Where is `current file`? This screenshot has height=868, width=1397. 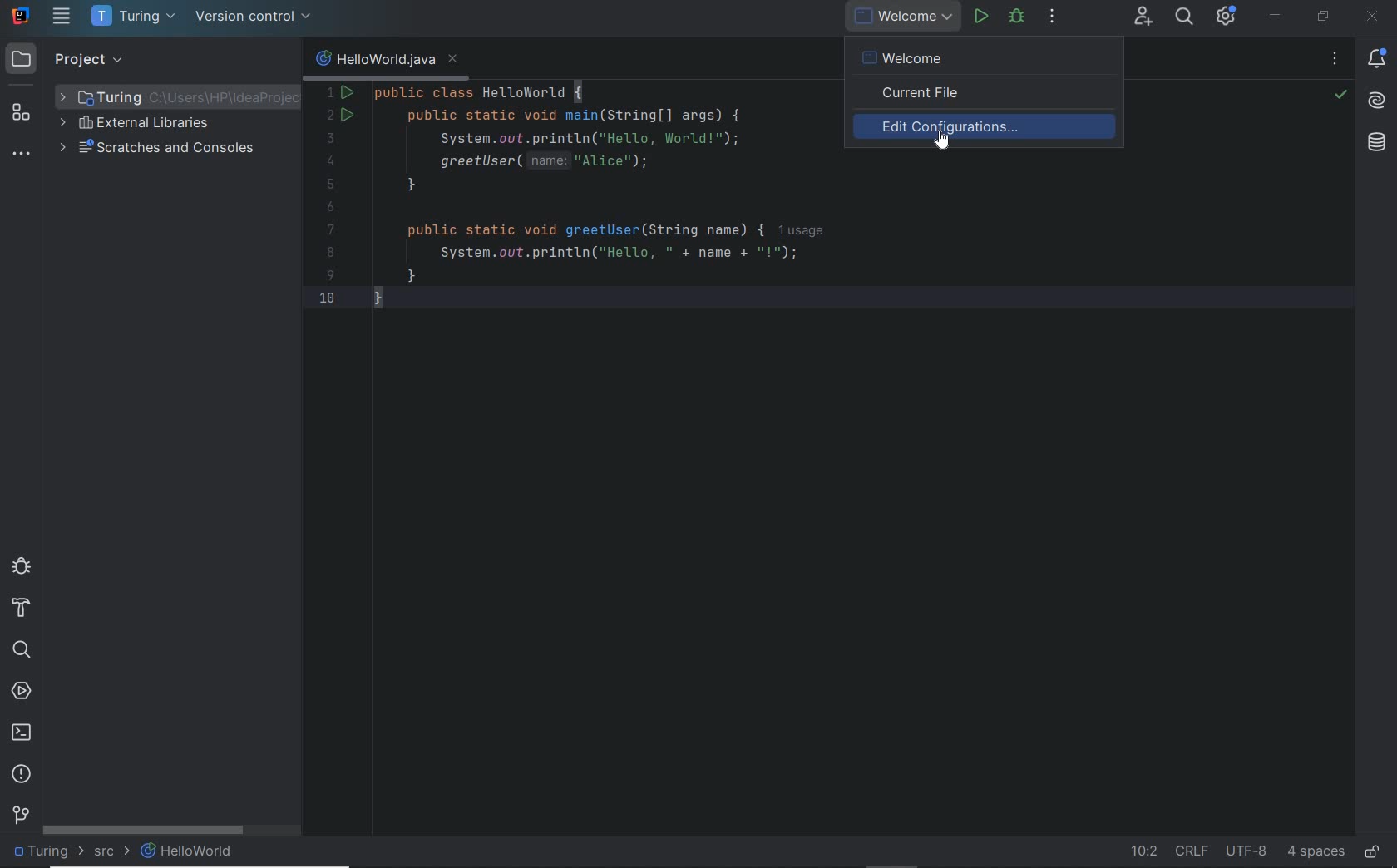
current file is located at coordinates (989, 95).